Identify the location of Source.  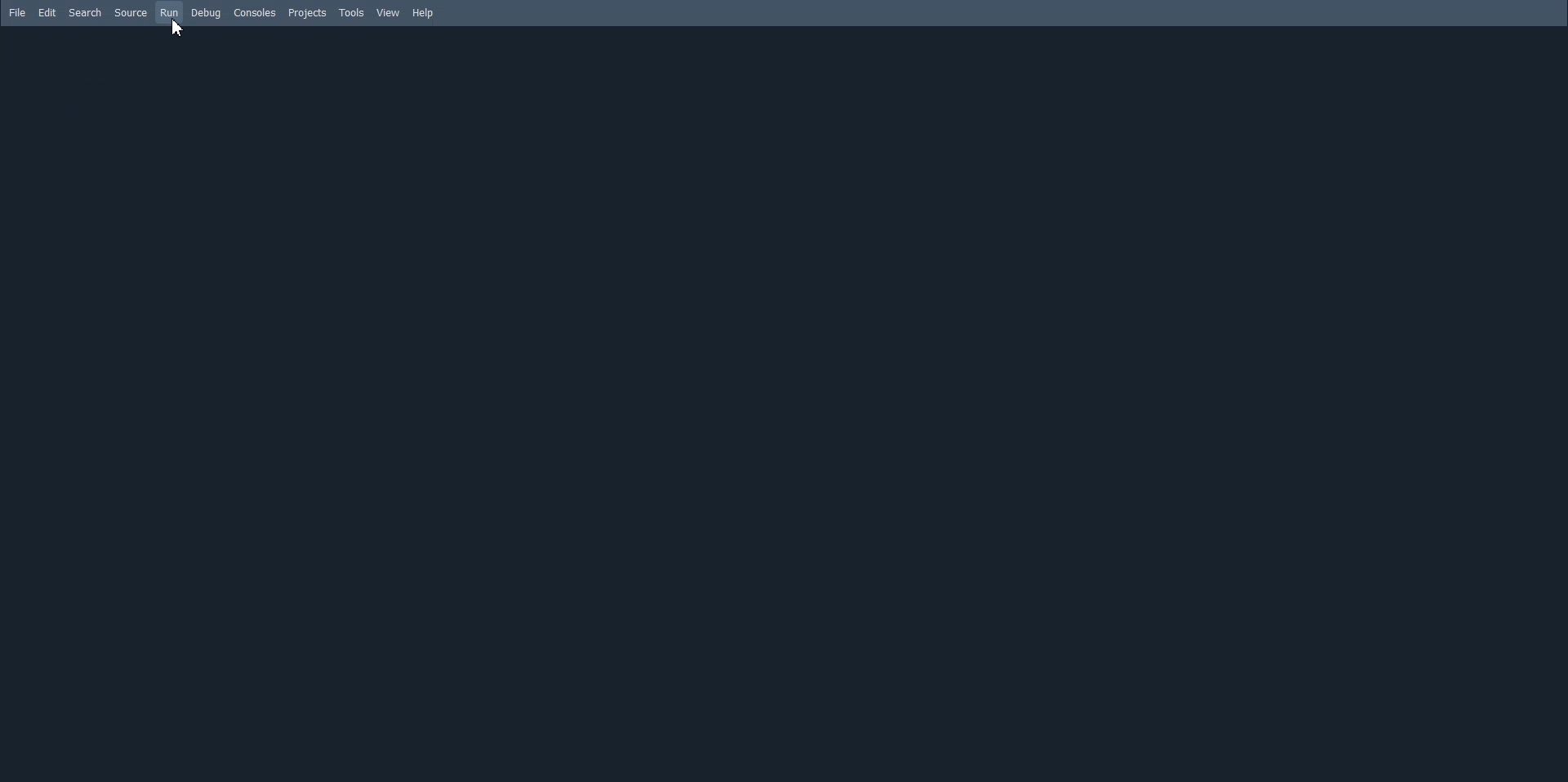
(129, 12).